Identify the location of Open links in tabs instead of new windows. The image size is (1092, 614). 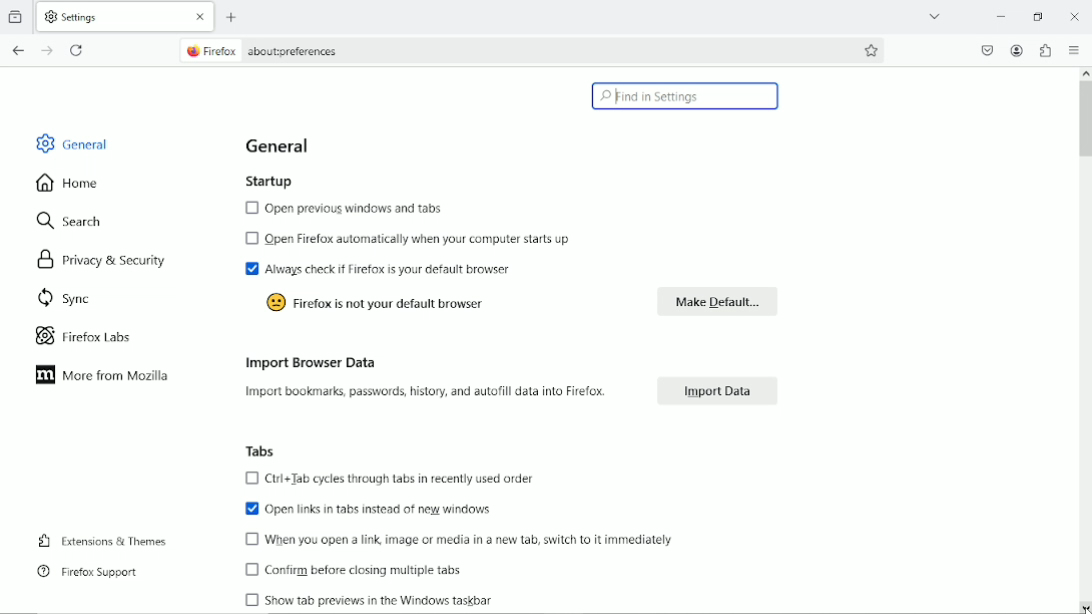
(368, 509).